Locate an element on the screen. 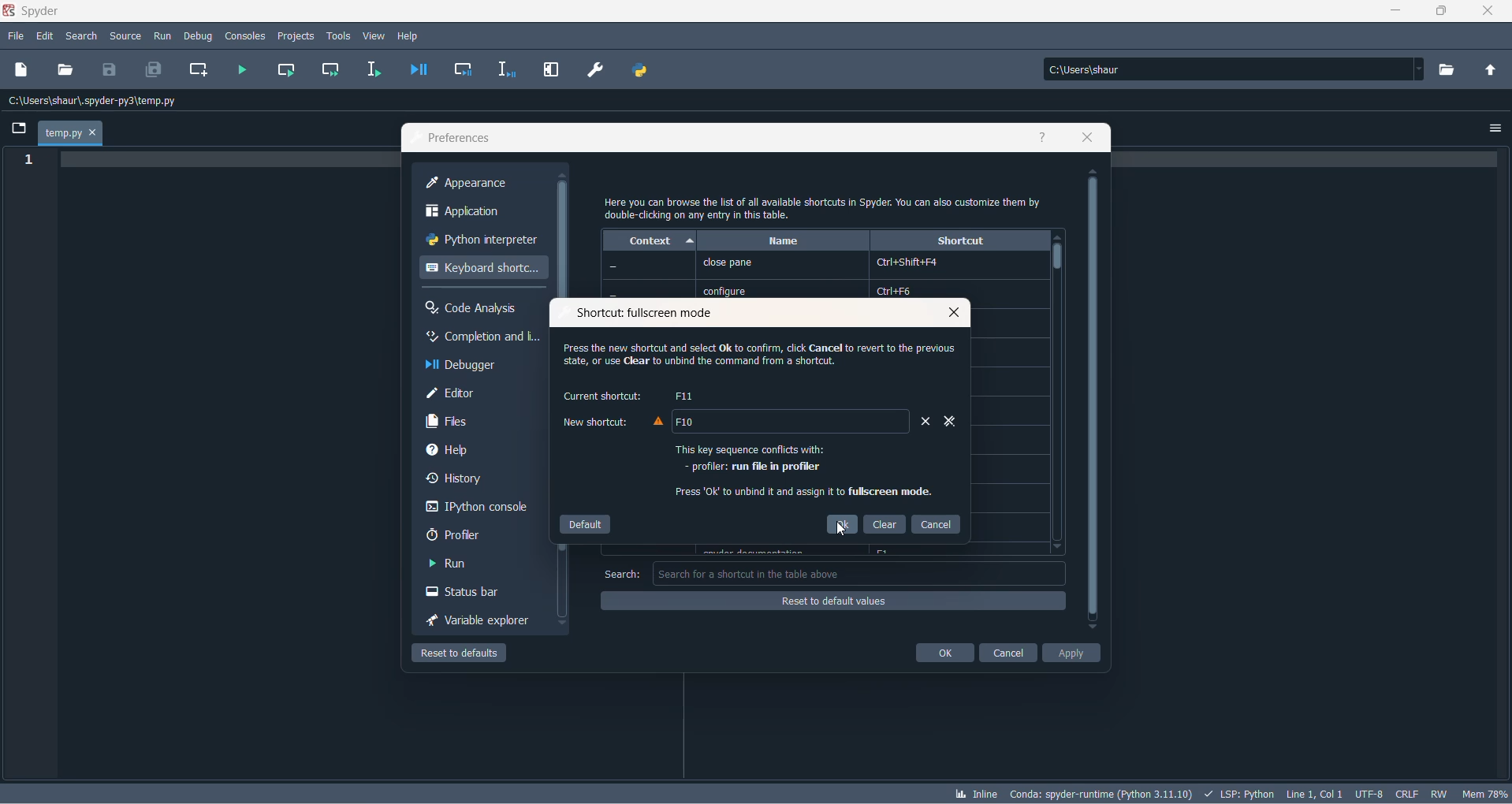 The height and width of the screenshot is (804, 1512). reset to default is located at coordinates (464, 655).